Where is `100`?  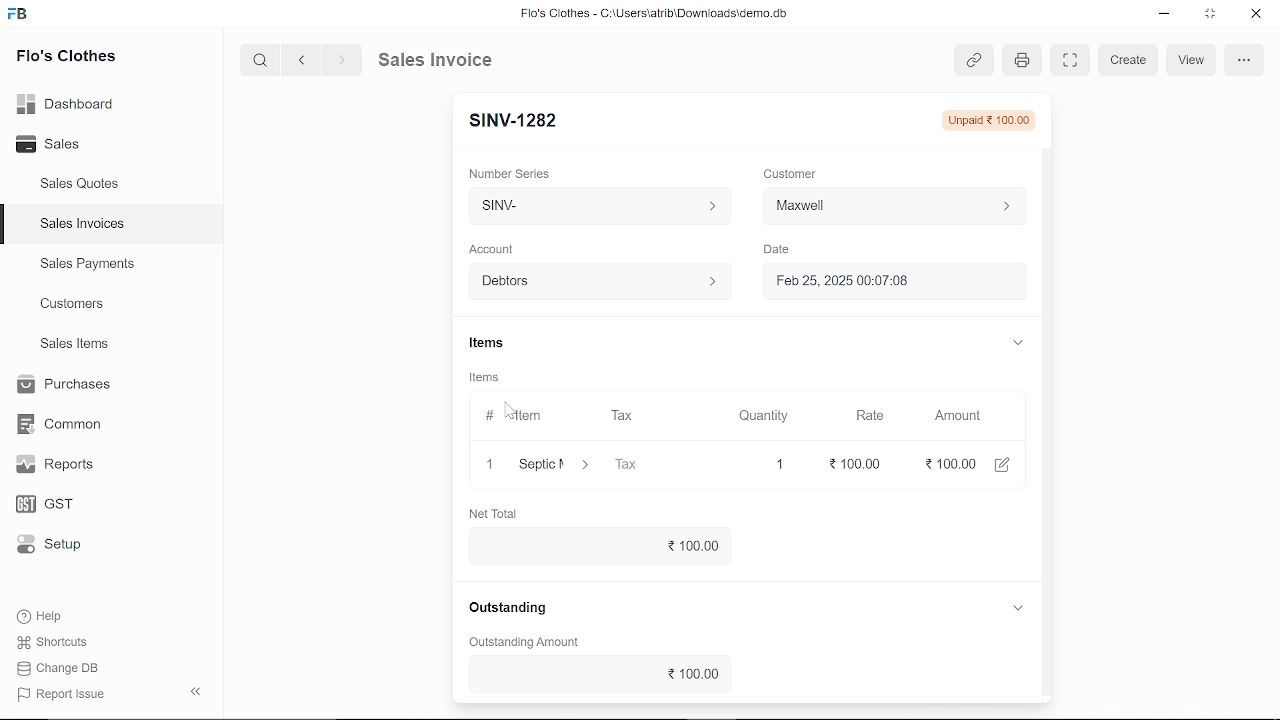 100 is located at coordinates (948, 464).